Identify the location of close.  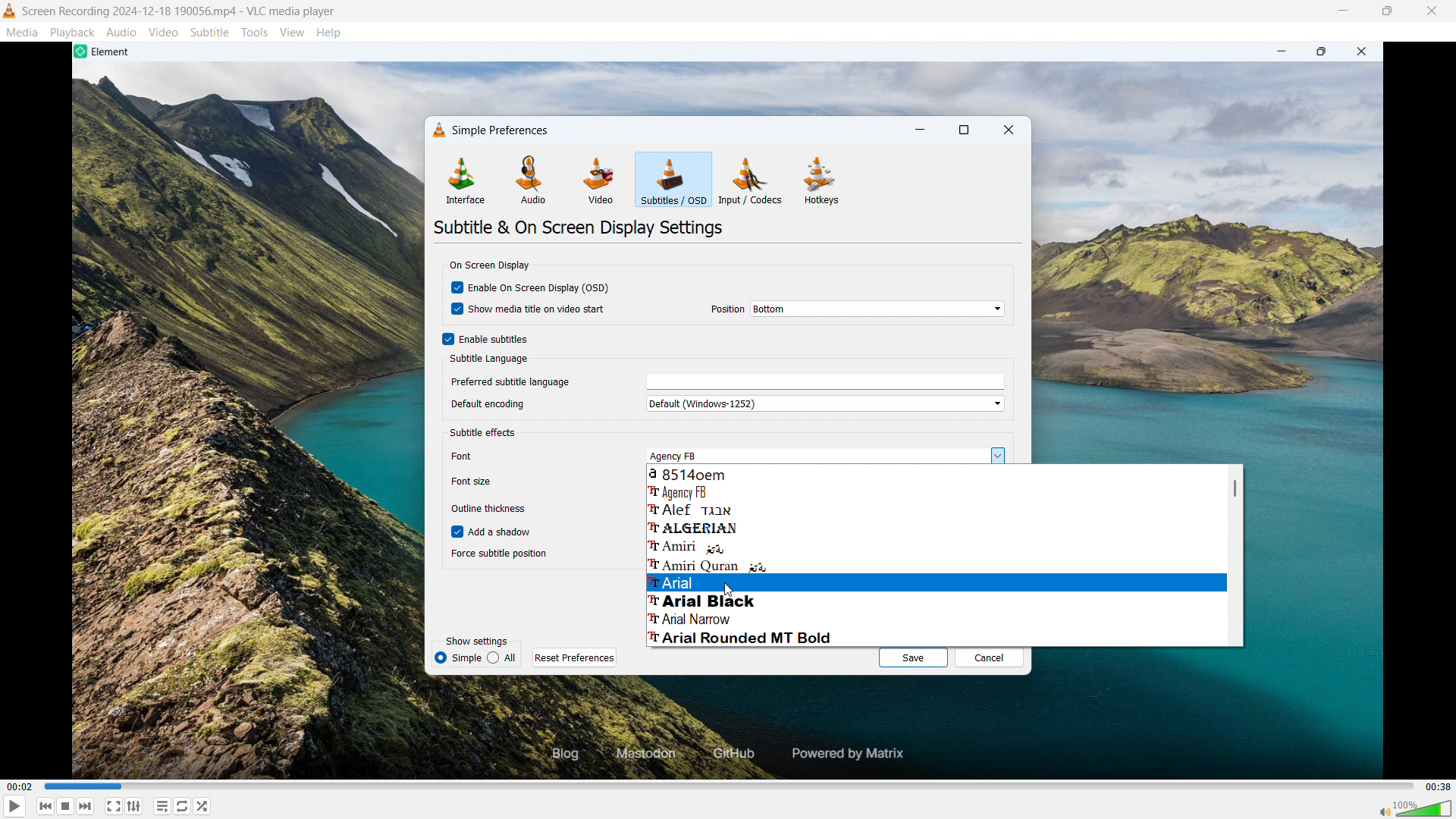
(1432, 11).